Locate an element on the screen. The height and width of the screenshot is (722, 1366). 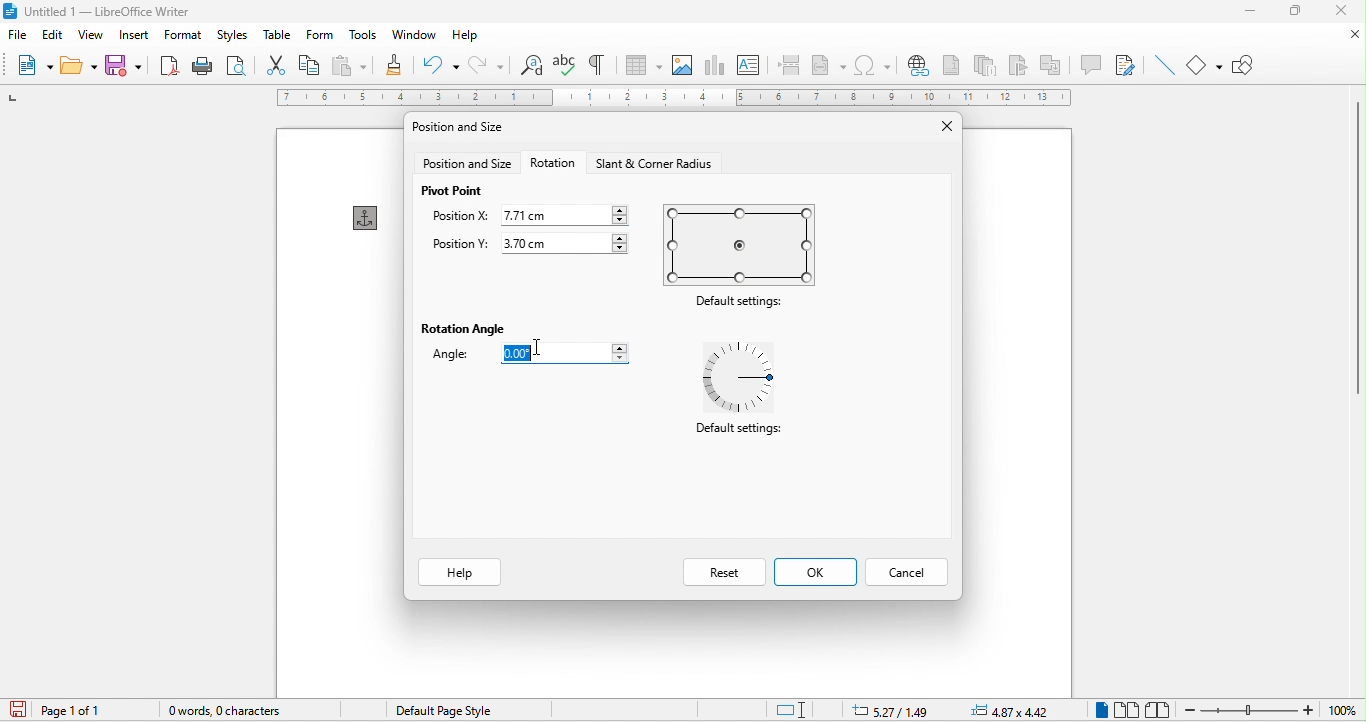
comment is located at coordinates (1091, 64).